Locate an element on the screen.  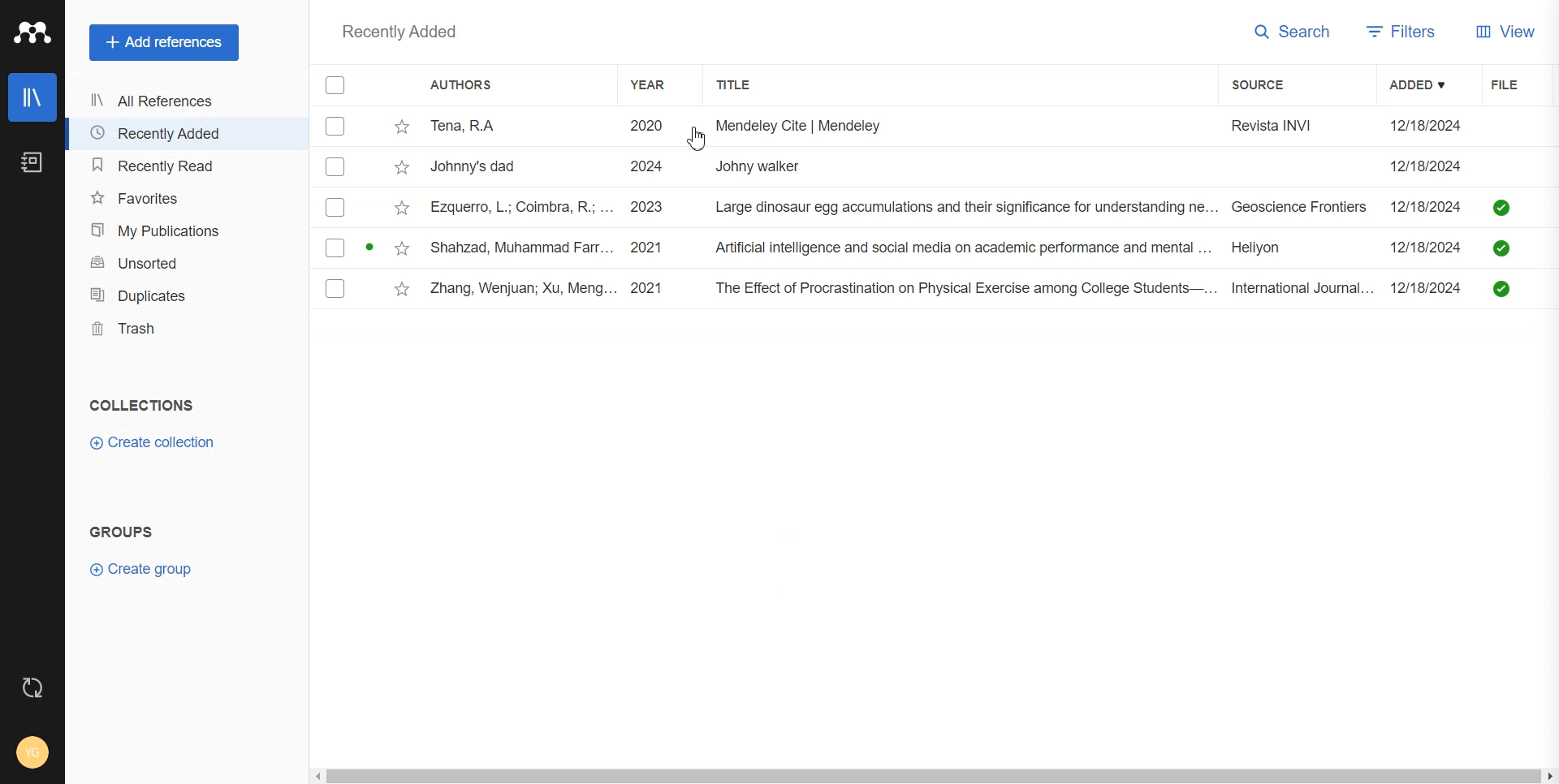
Checkbox is located at coordinates (338, 166).